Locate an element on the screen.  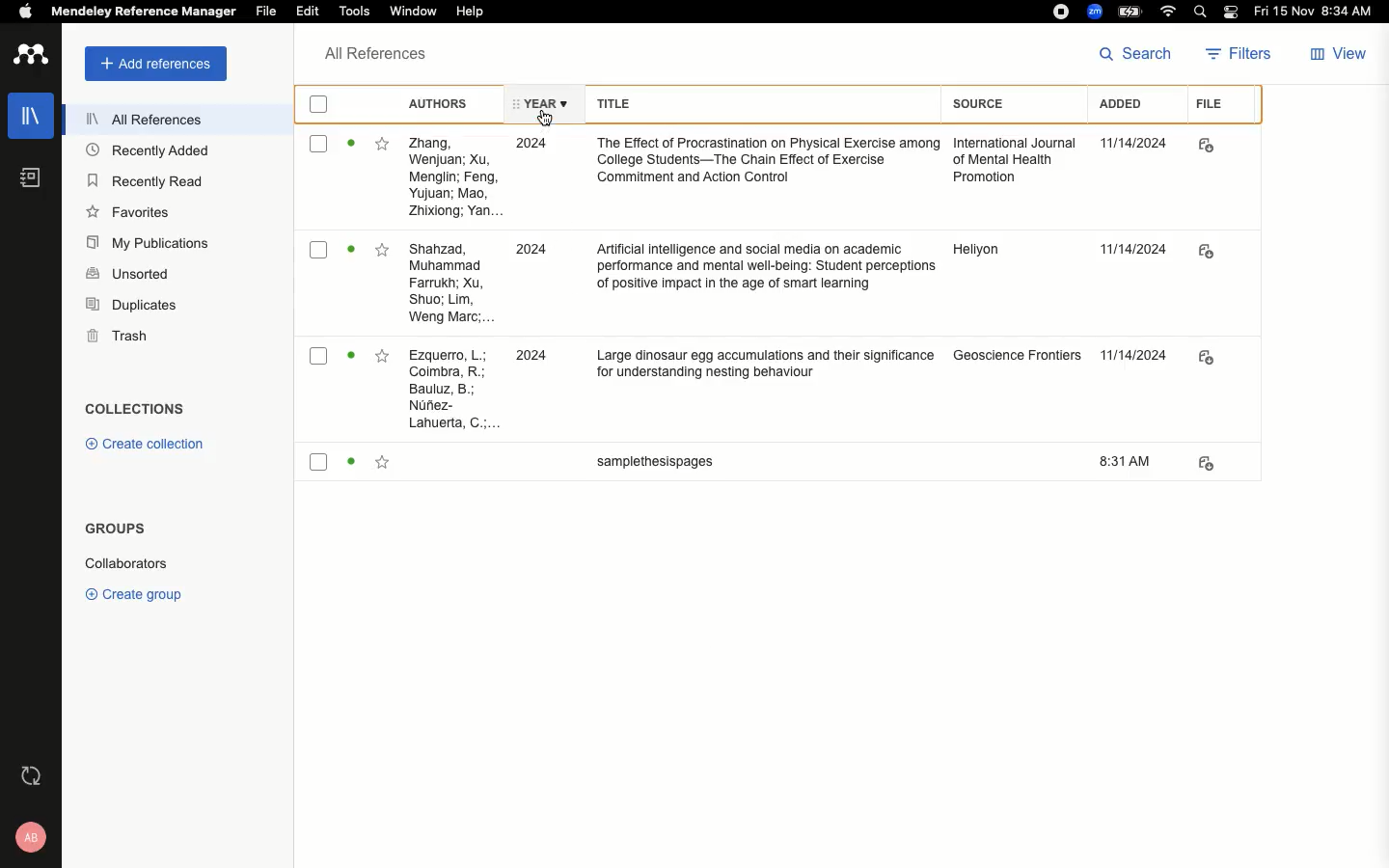
mark as favorite is located at coordinates (383, 361).